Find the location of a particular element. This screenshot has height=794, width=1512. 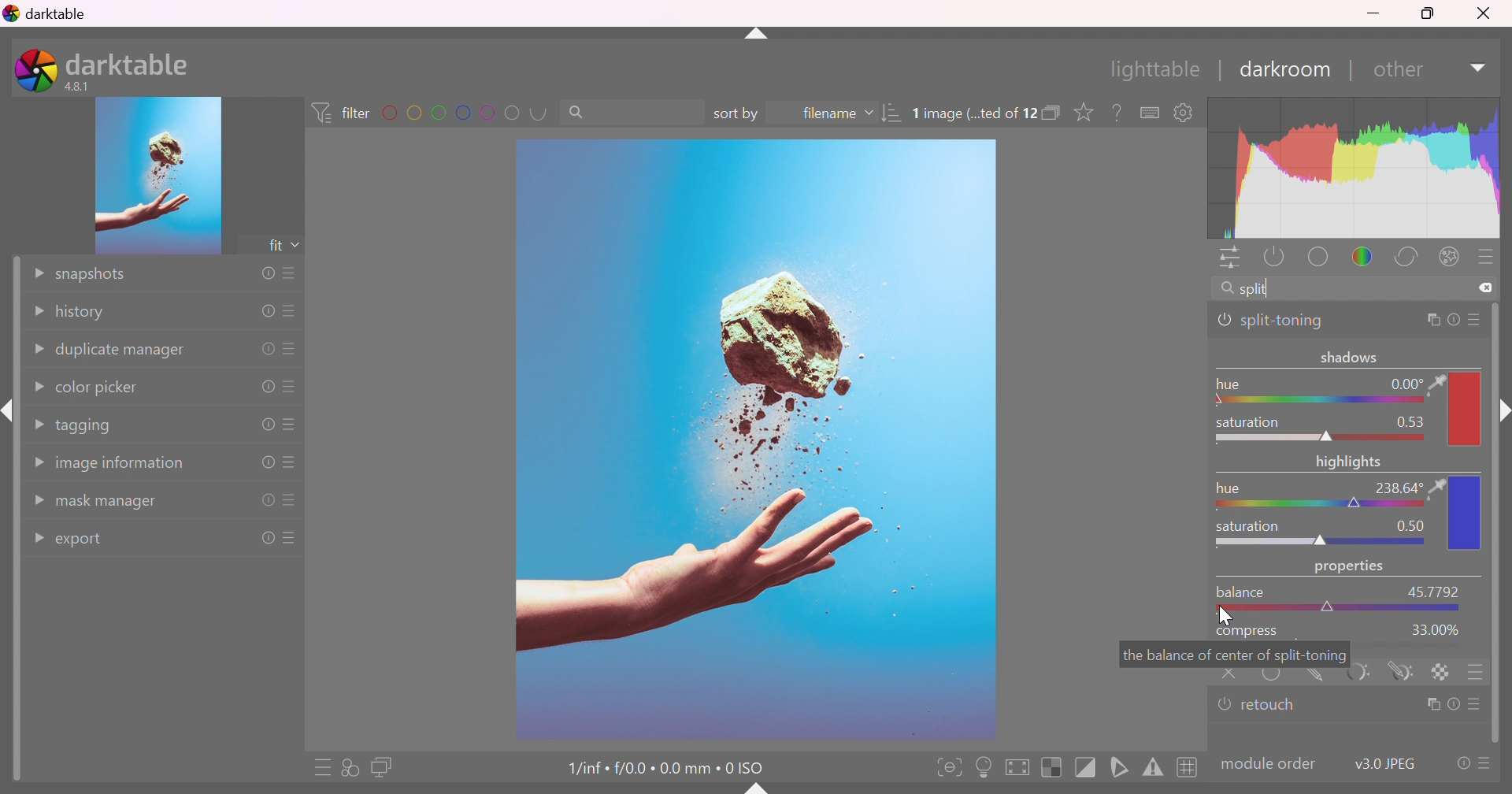

display a second darkroom image window is located at coordinates (384, 767).